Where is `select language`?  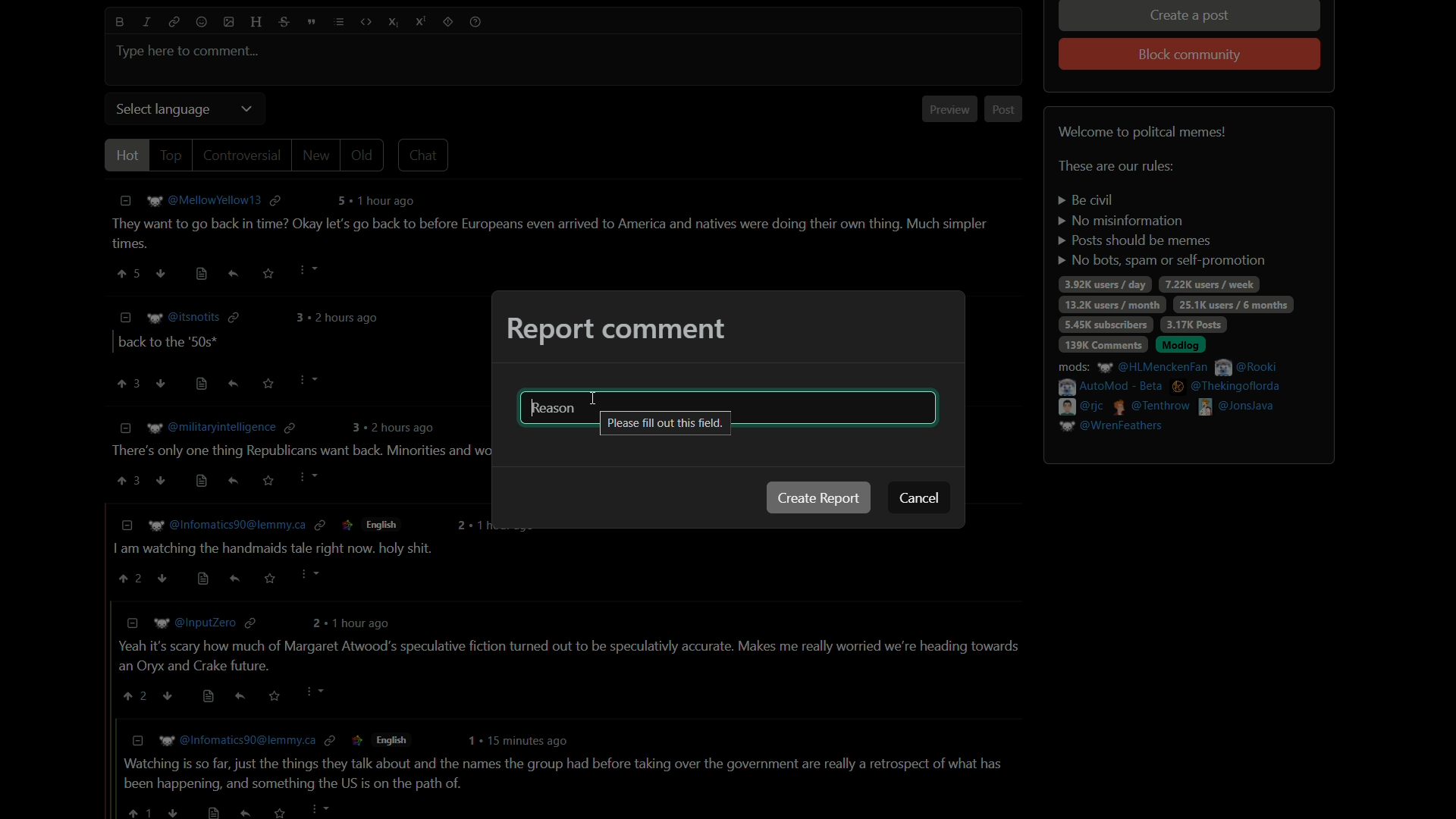
select language is located at coordinates (162, 110).